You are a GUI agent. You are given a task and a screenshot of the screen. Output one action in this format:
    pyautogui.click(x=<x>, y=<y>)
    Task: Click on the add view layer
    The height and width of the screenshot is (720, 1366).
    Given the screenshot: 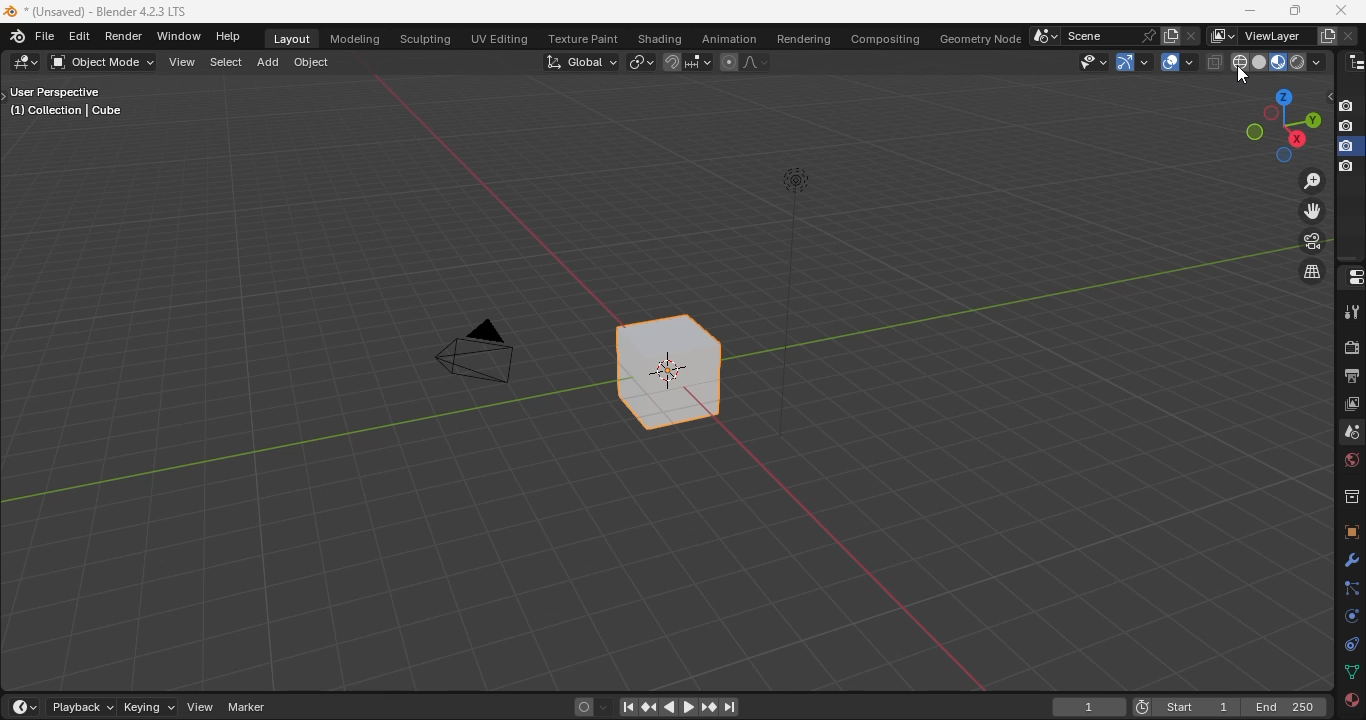 What is the action you would take?
    pyautogui.click(x=1324, y=35)
    